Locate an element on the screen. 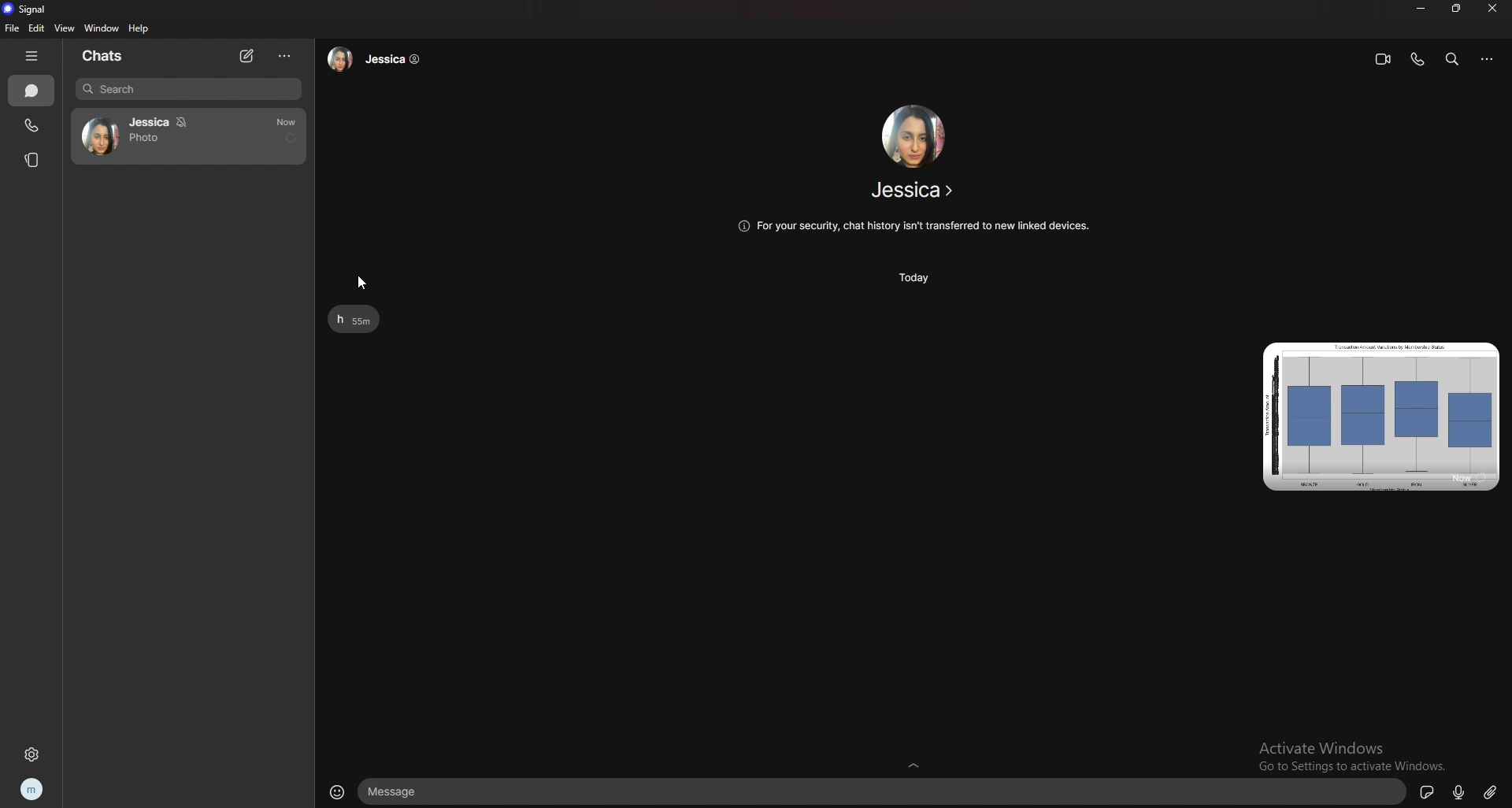  minimize is located at coordinates (1421, 9).